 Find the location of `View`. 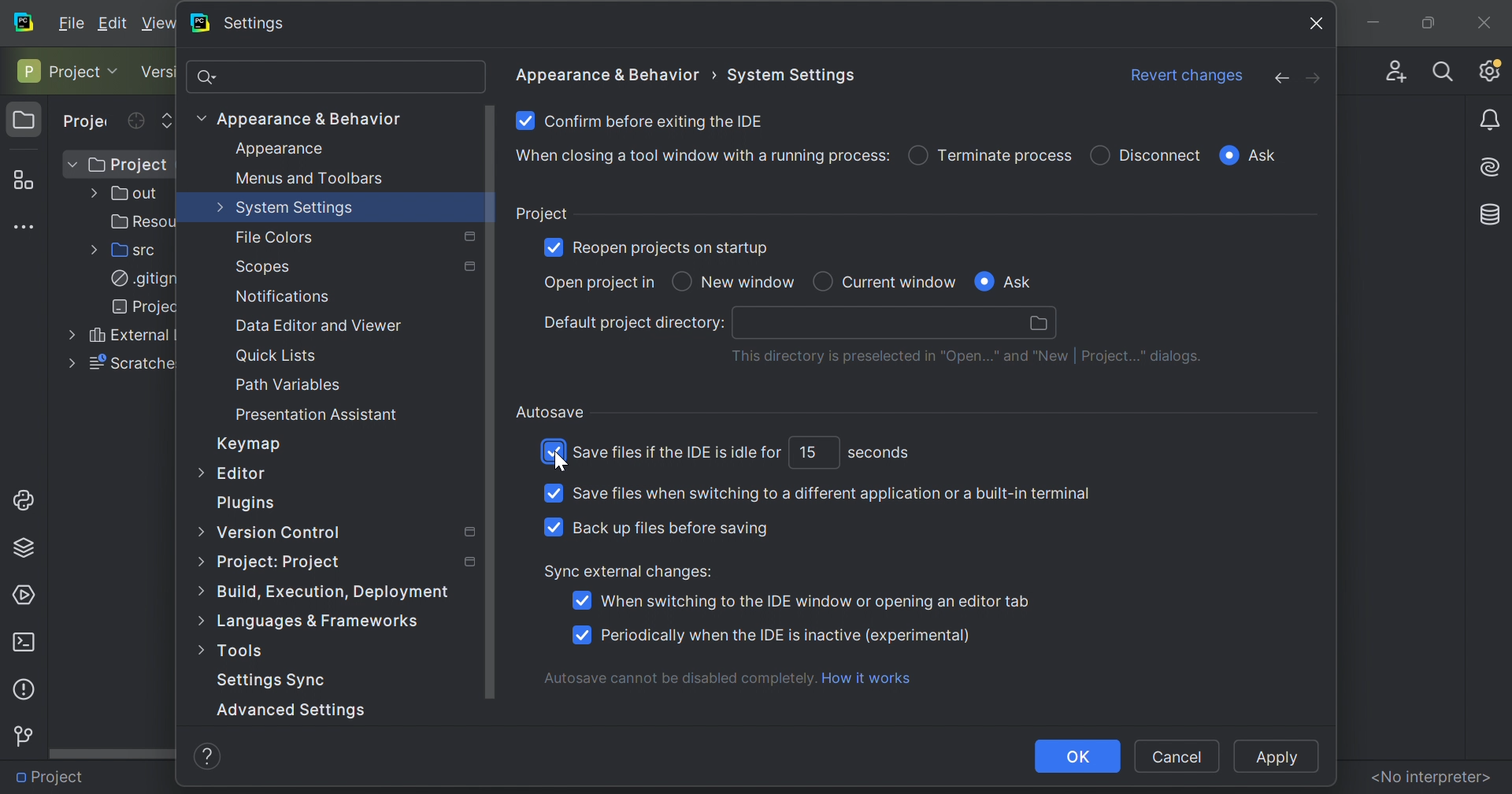

View is located at coordinates (159, 23).